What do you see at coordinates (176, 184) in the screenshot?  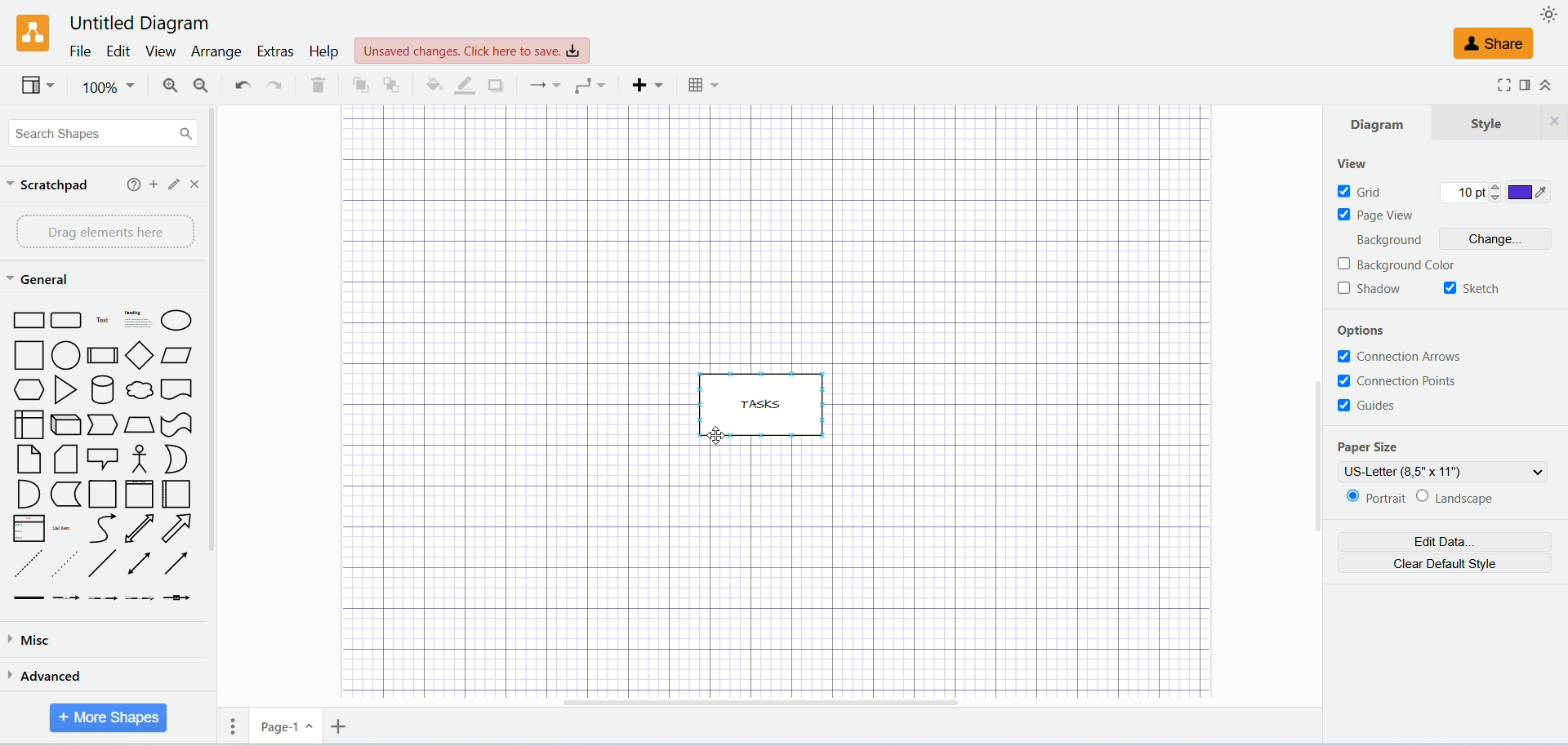 I see `edit` at bounding box center [176, 184].